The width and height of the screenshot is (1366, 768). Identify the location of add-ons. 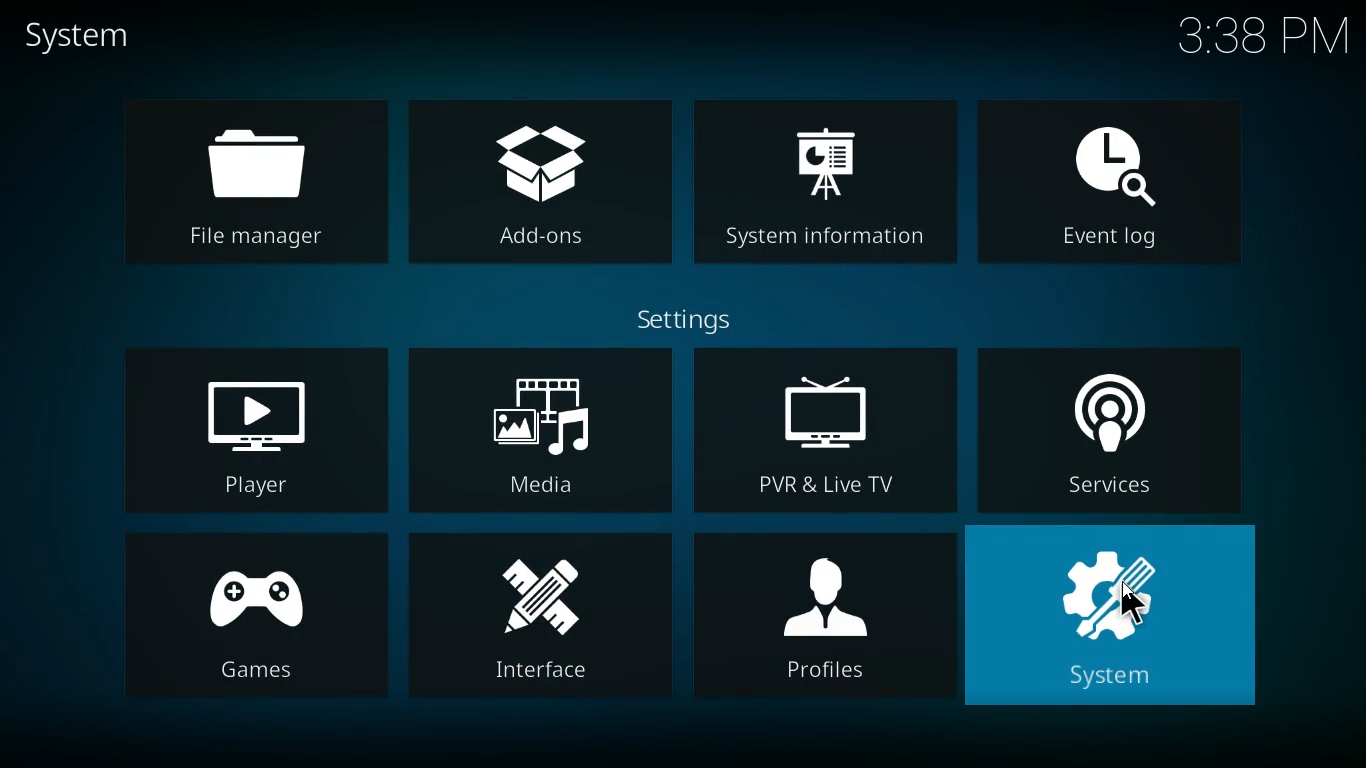
(546, 187).